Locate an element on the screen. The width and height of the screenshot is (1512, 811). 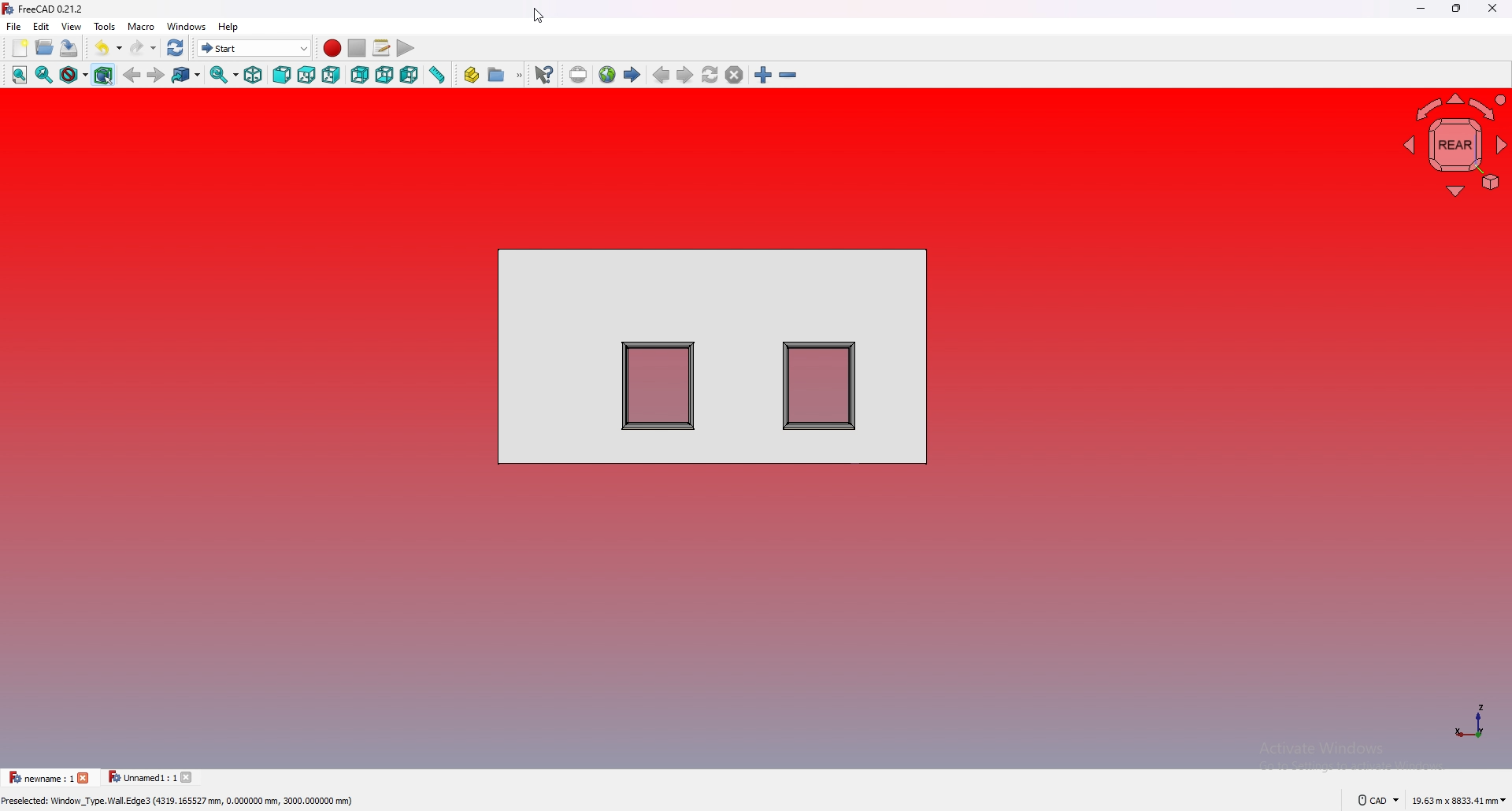
minimize is located at coordinates (1423, 8).